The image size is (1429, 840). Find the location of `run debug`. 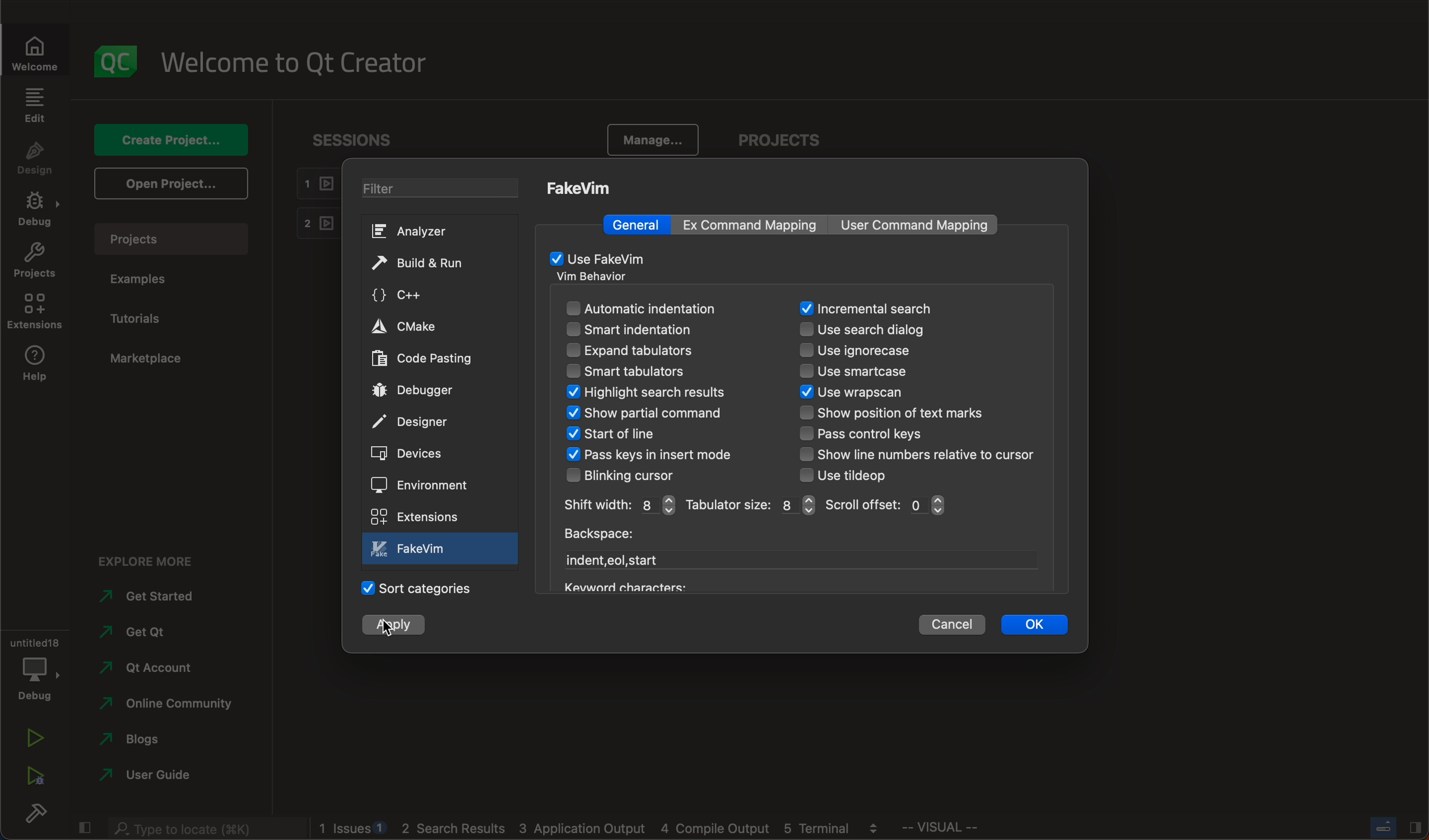

run debug is located at coordinates (32, 778).